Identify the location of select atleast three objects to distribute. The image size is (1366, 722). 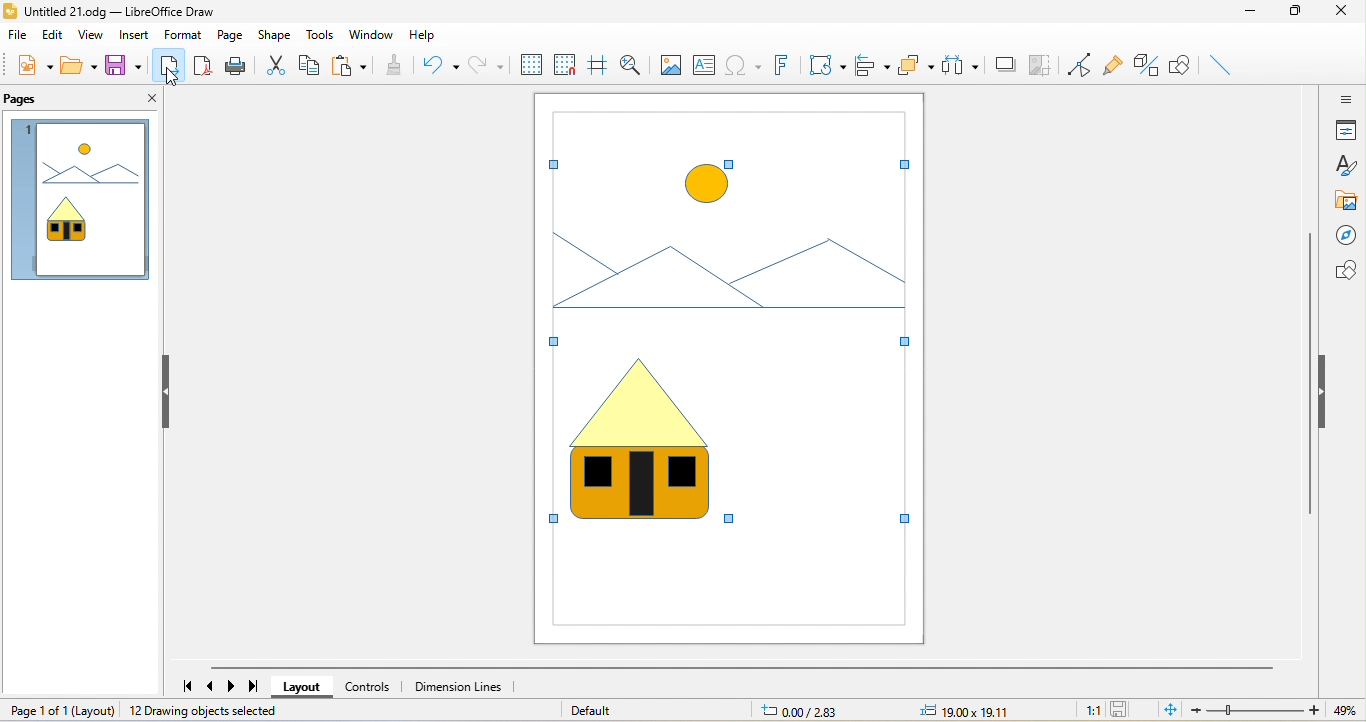
(961, 66).